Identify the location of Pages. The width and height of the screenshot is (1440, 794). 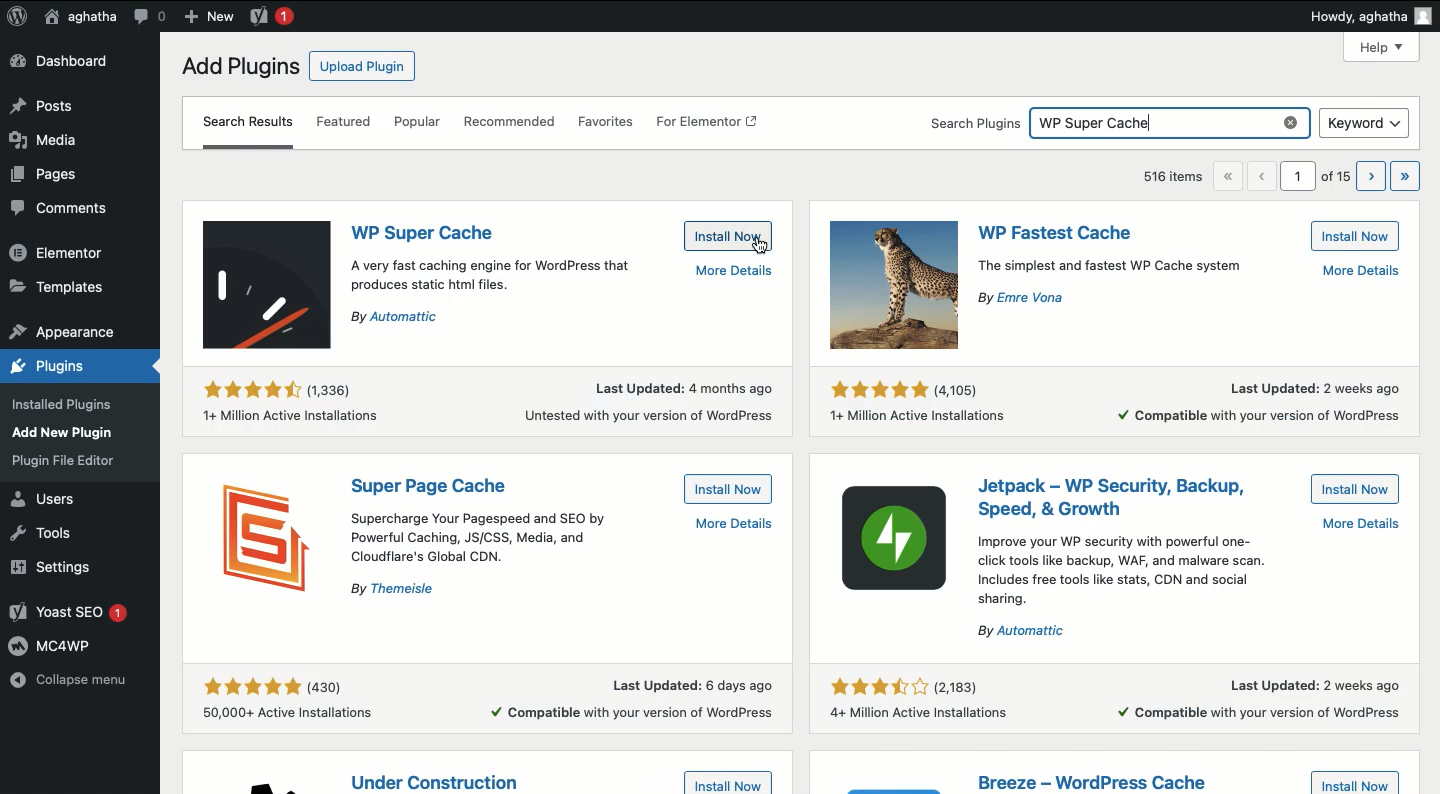
(51, 177).